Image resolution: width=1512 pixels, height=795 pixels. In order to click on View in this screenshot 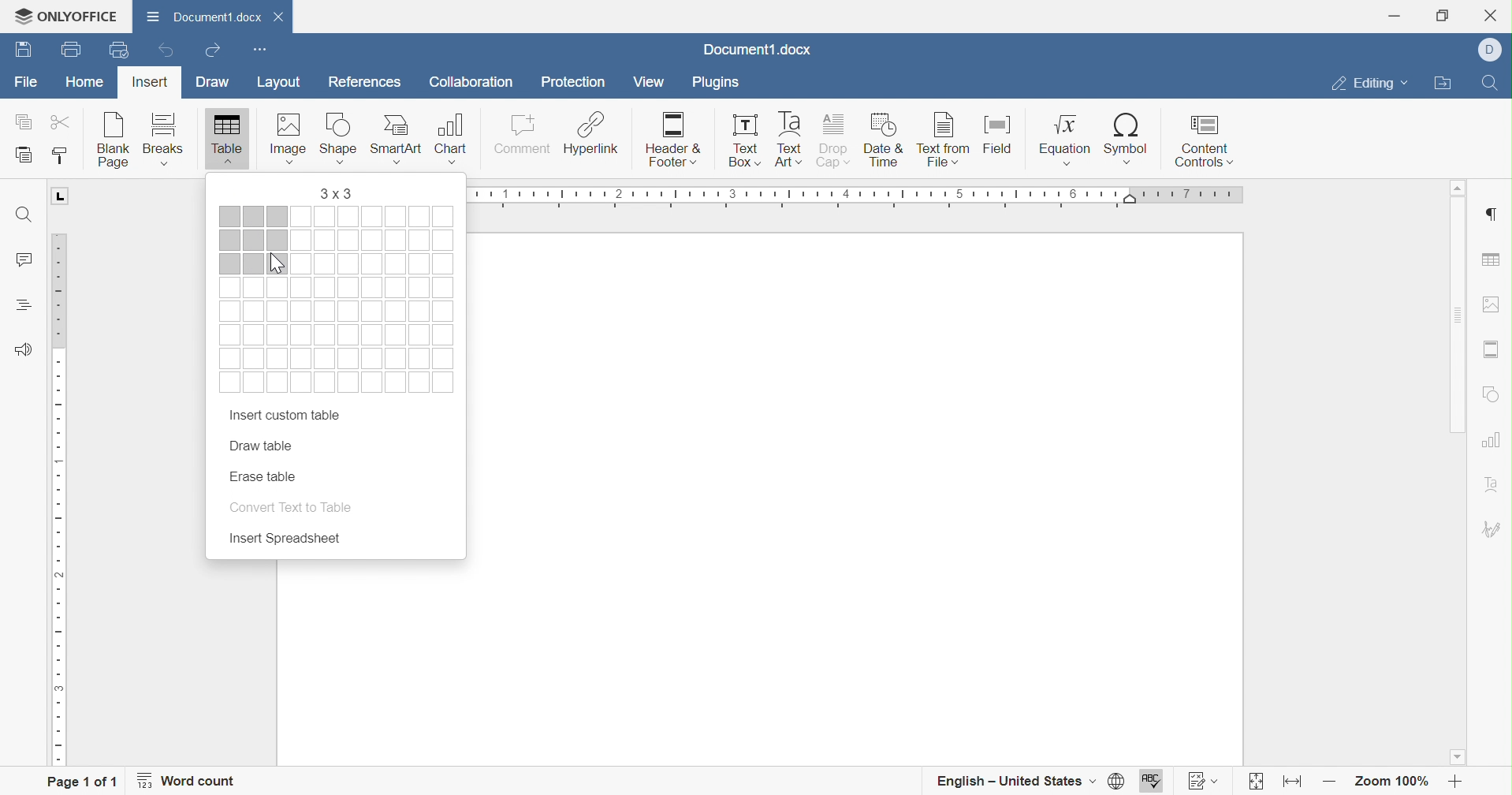, I will do `click(648, 80)`.